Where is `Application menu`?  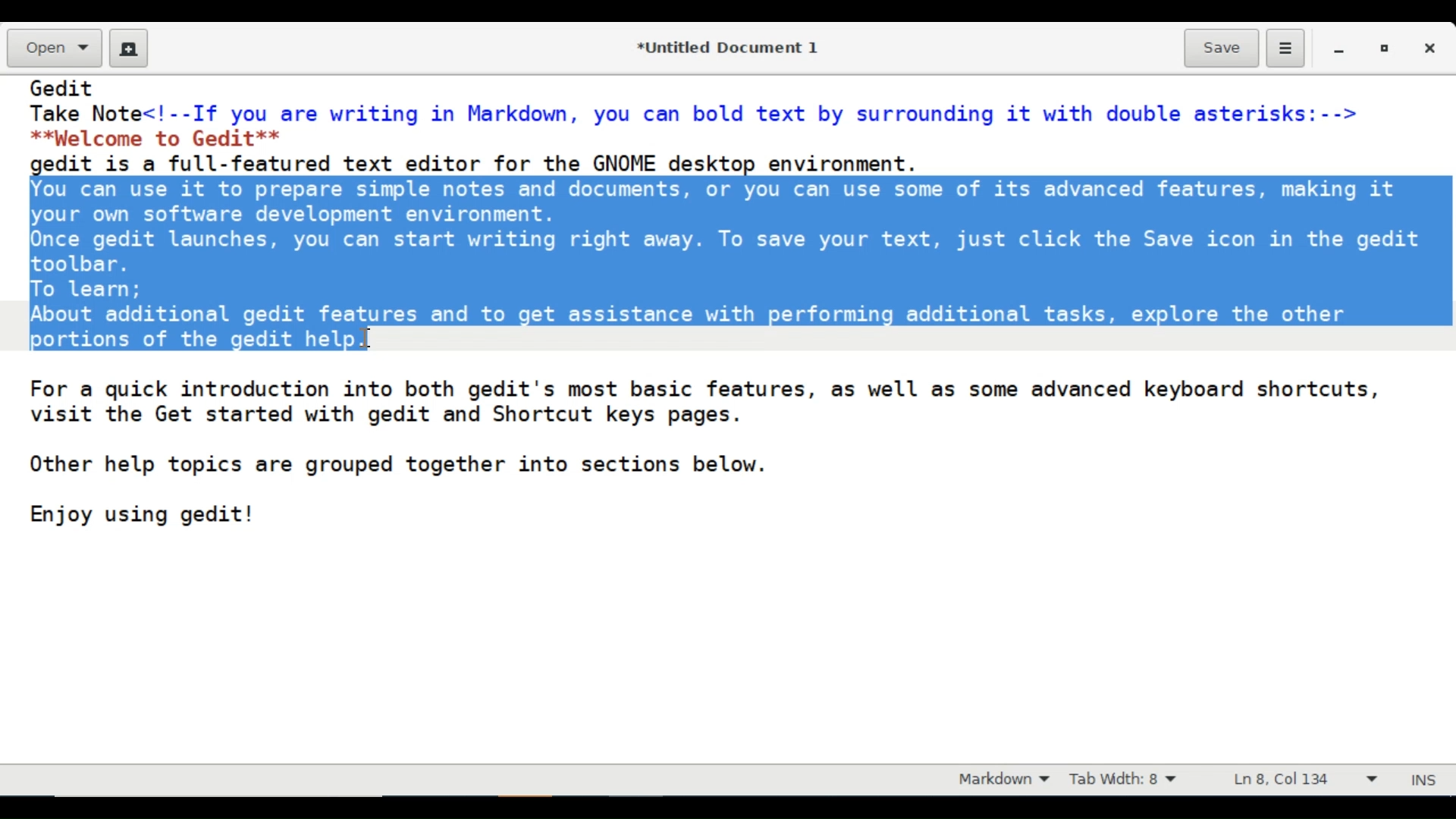 Application menu is located at coordinates (1285, 49).